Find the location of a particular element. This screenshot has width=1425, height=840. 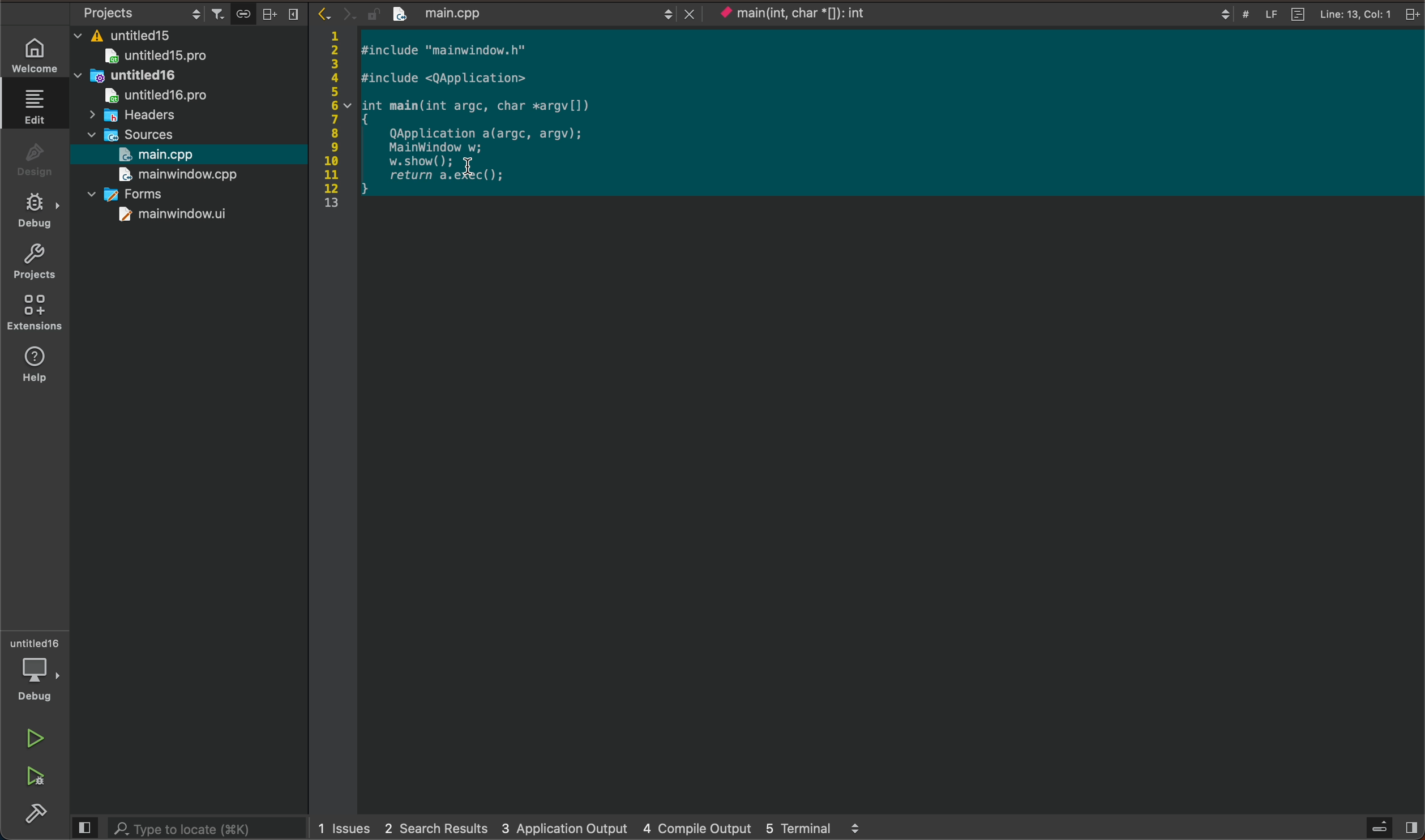

close is located at coordinates (296, 15).